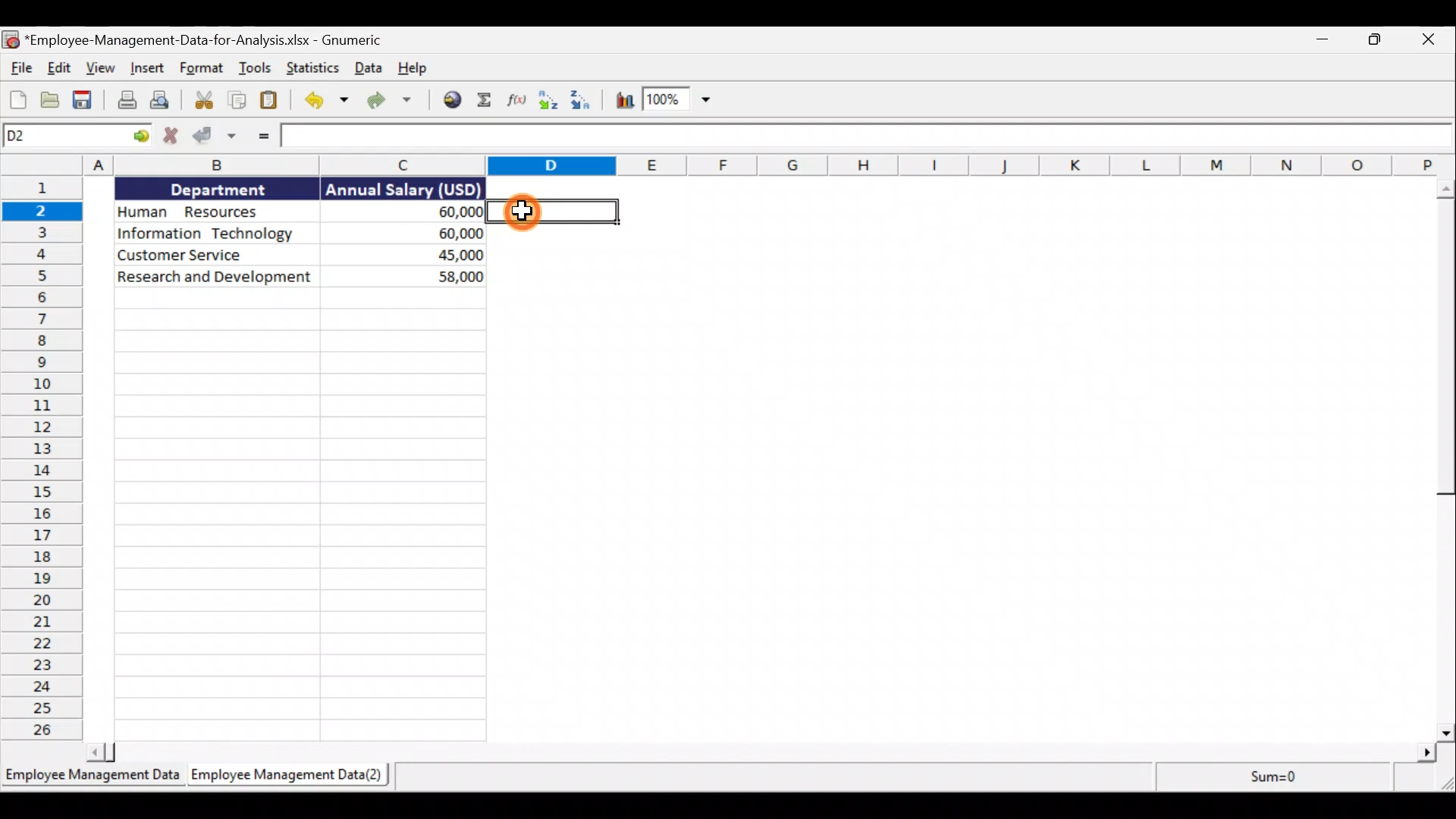 The width and height of the screenshot is (1456, 819). Describe the element at coordinates (1263, 778) in the screenshot. I see `sum=0` at that location.